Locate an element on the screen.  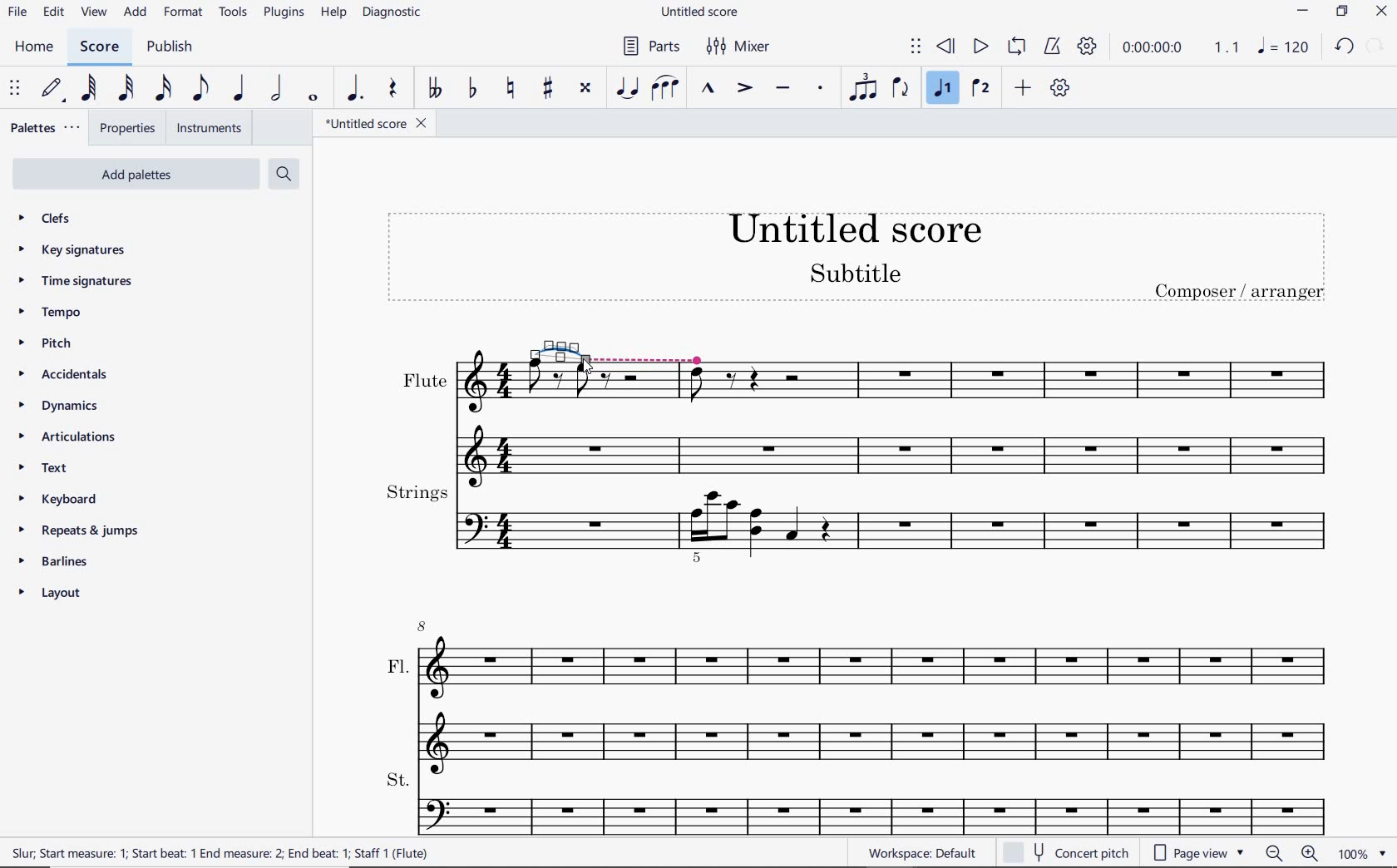
PLAYBACK SETTINGS is located at coordinates (1090, 48).